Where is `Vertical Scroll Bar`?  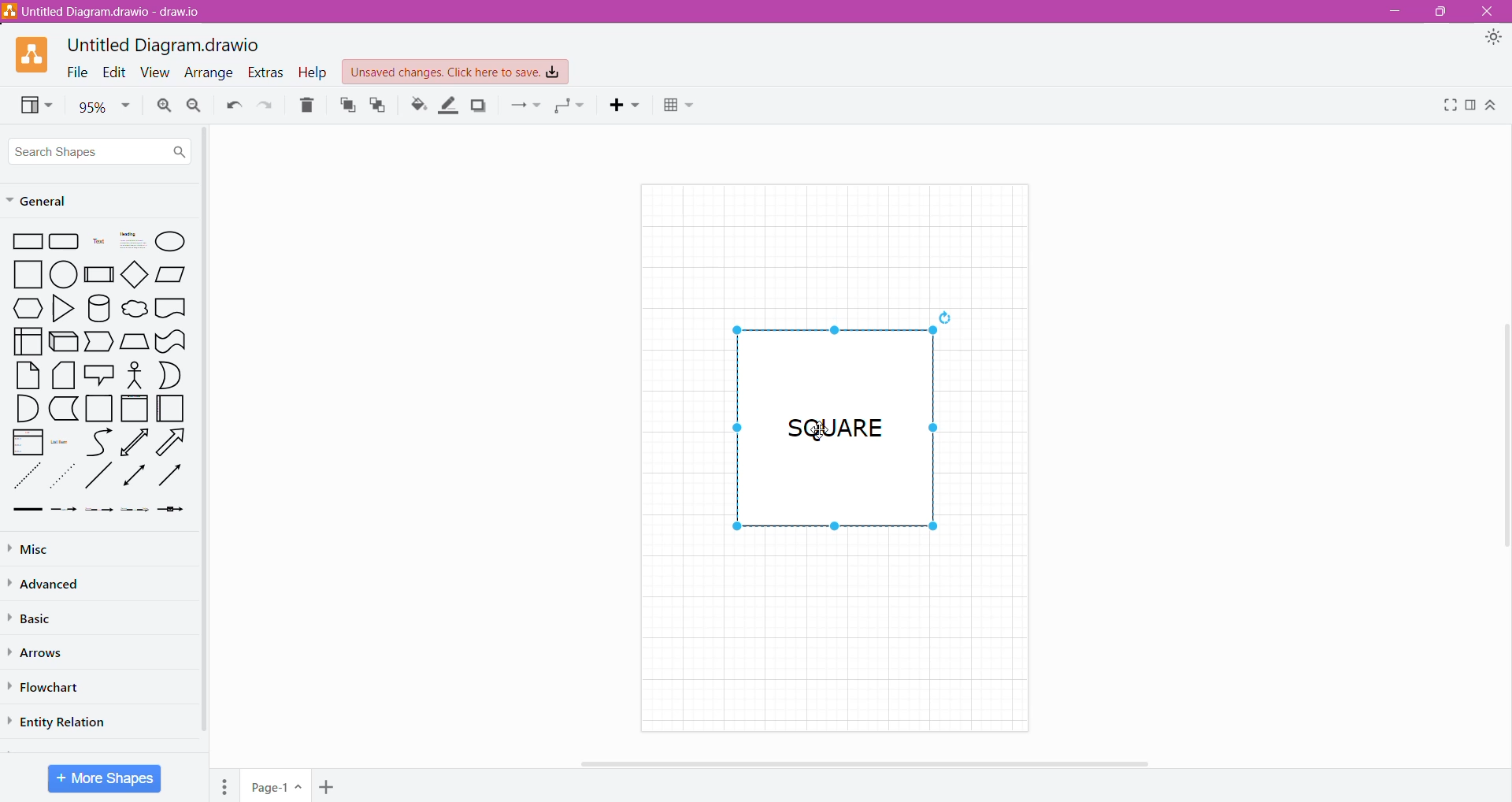 Vertical Scroll Bar is located at coordinates (204, 429).